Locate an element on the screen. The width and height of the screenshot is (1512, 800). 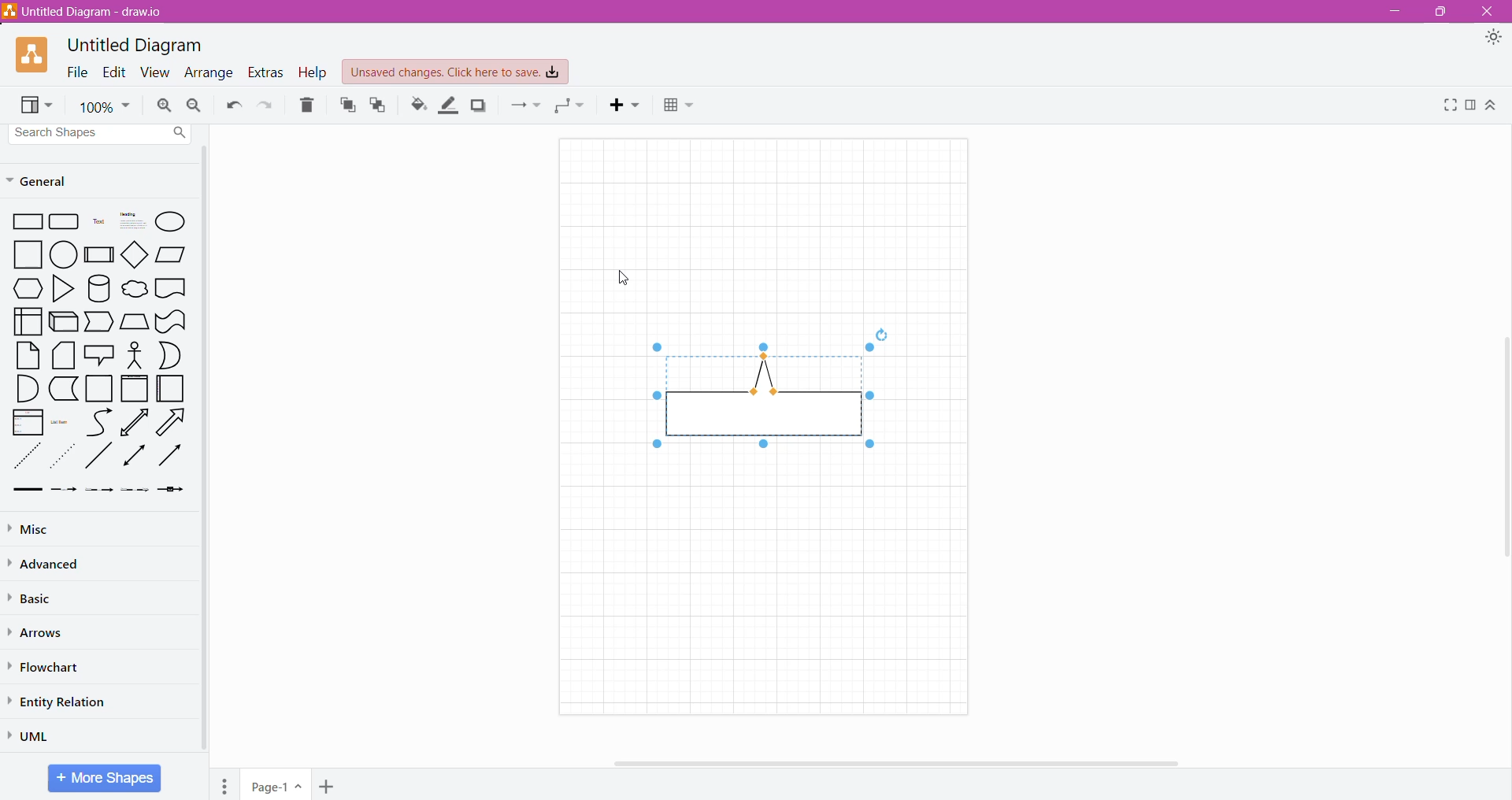
Appearance is located at coordinates (1493, 39).